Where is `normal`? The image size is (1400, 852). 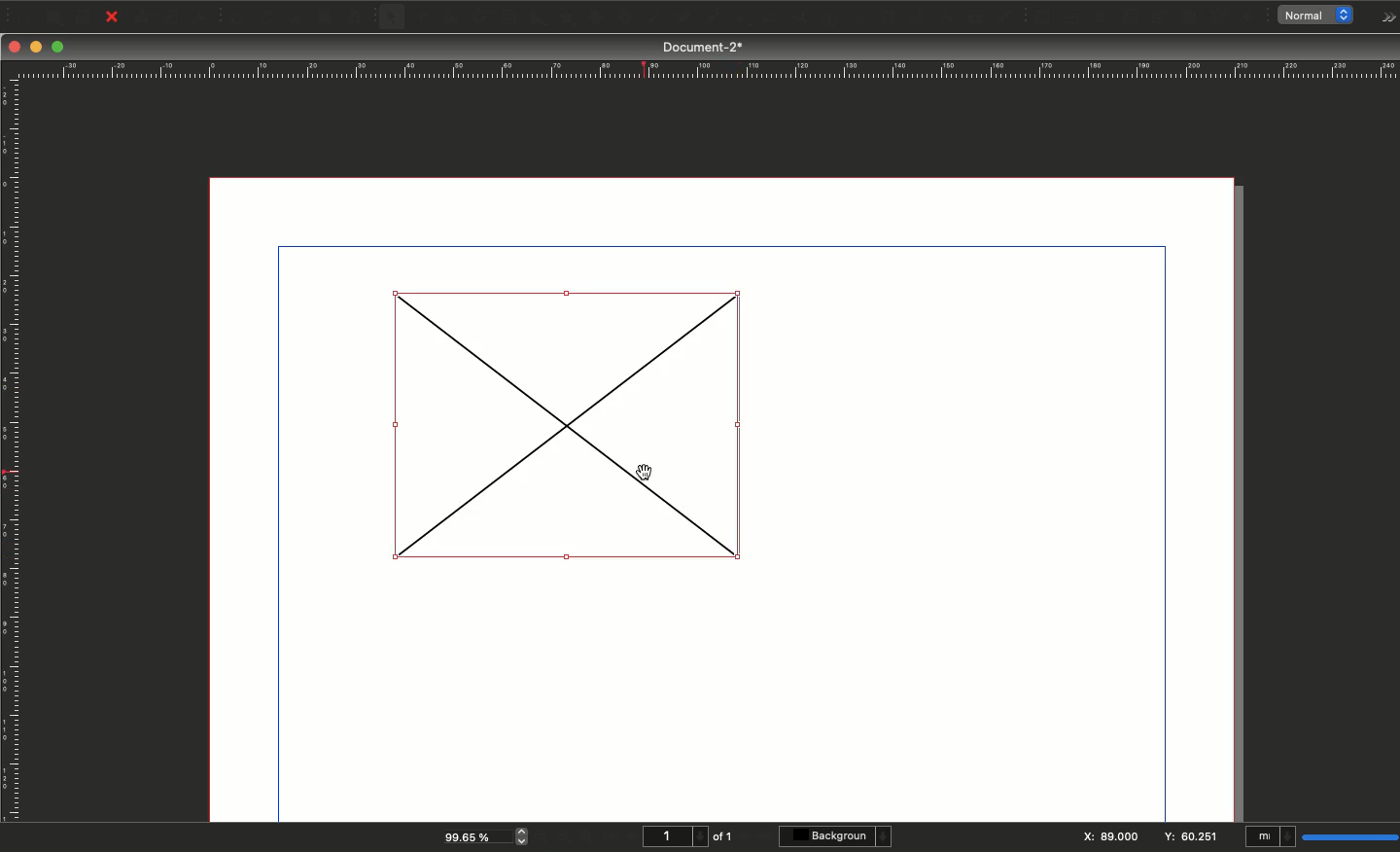
normal is located at coordinates (1320, 16).